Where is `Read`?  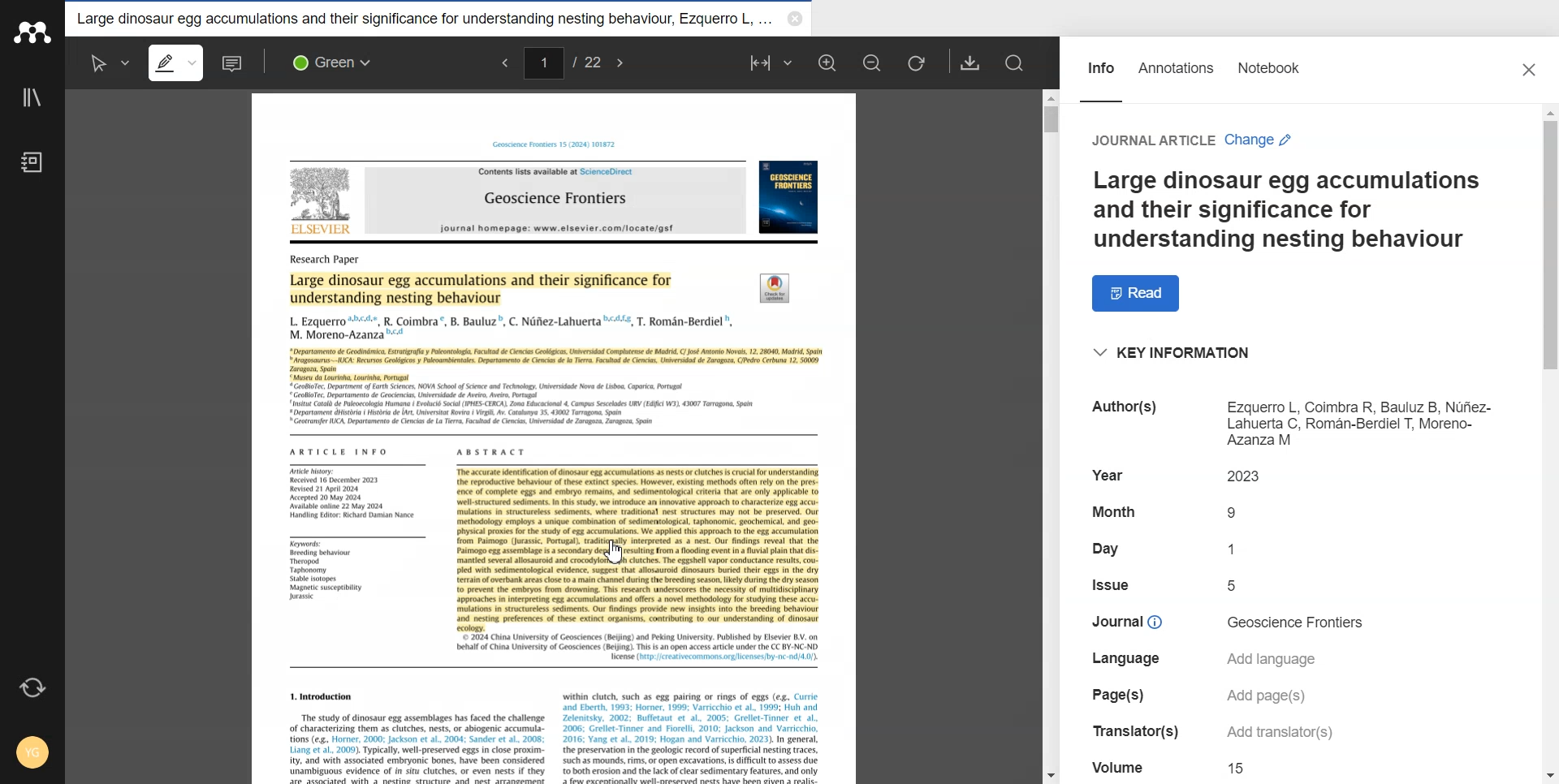
Read is located at coordinates (1138, 293).